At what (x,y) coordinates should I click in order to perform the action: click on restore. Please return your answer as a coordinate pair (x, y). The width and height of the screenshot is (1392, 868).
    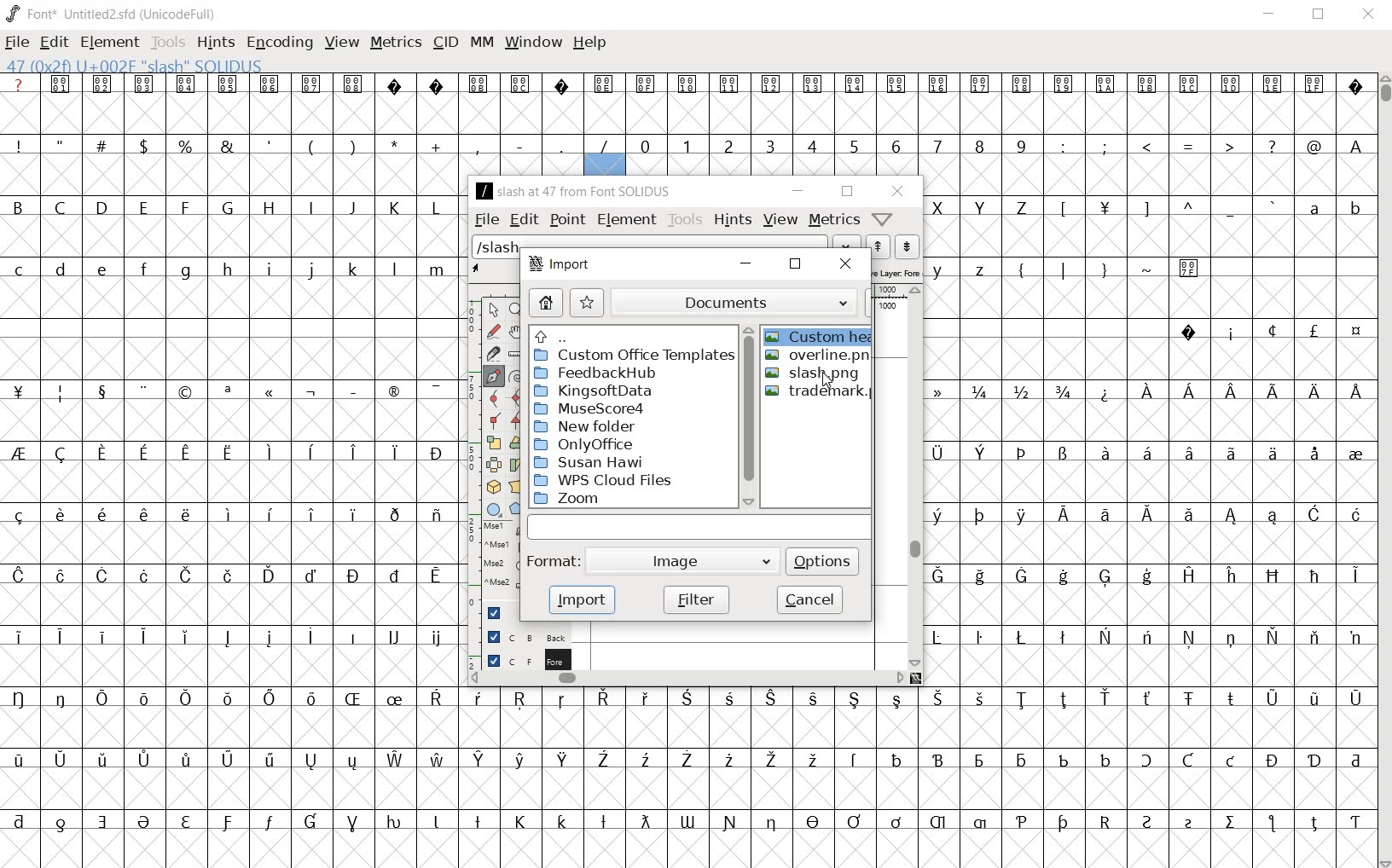
    Looking at the image, I should click on (847, 192).